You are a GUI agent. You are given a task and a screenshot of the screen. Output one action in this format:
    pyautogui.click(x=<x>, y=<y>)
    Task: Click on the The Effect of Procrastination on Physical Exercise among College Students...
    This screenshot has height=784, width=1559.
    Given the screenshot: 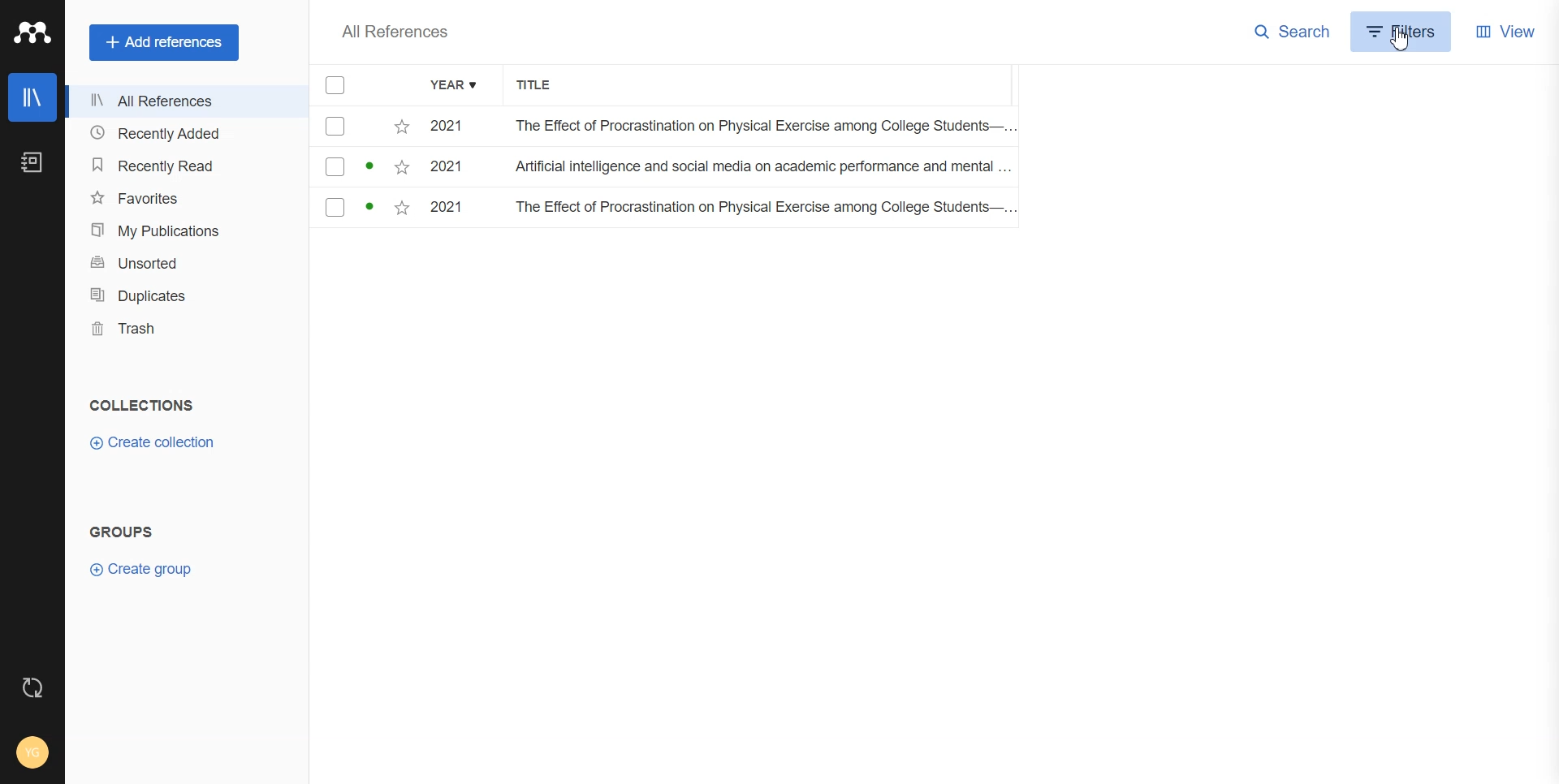 What is the action you would take?
    pyautogui.click(x=762, y=209)
    